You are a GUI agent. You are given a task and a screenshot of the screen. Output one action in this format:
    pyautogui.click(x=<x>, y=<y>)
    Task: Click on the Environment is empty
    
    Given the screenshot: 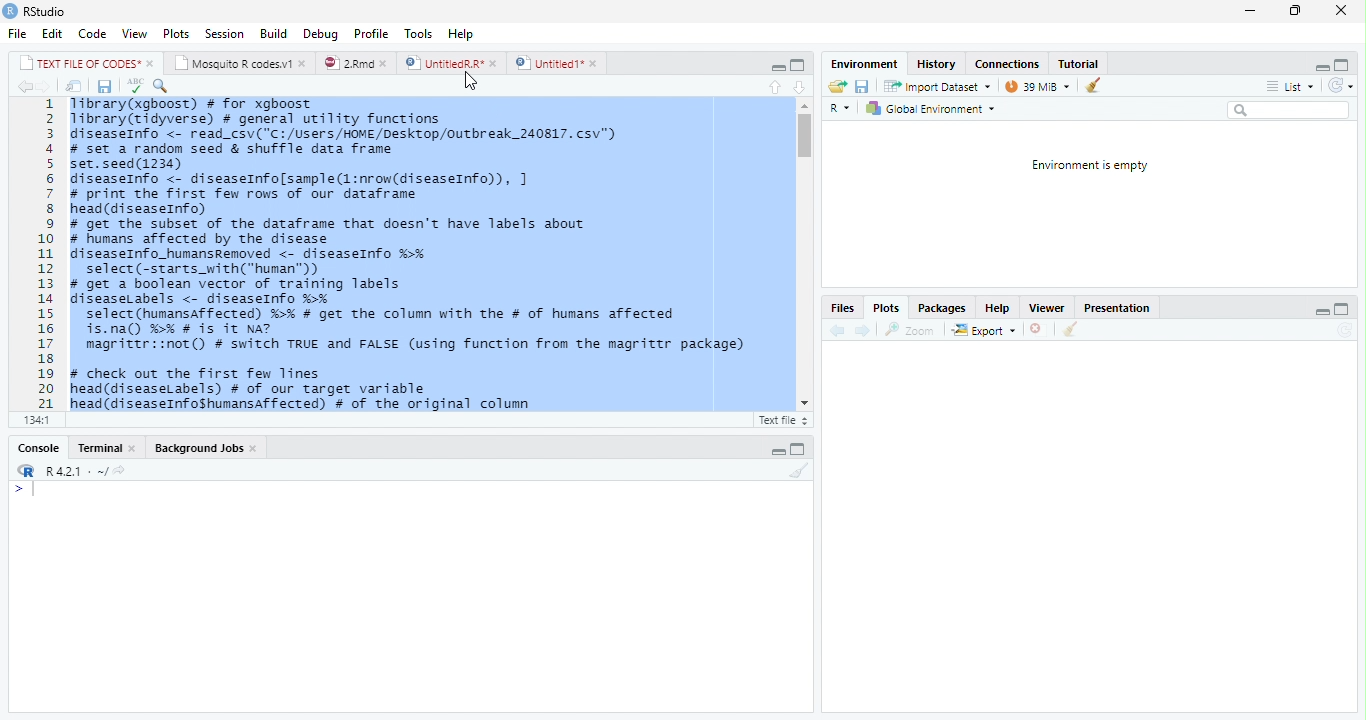 What is the action you would take?
    pyautogui.click(x=1091, y=165)
    